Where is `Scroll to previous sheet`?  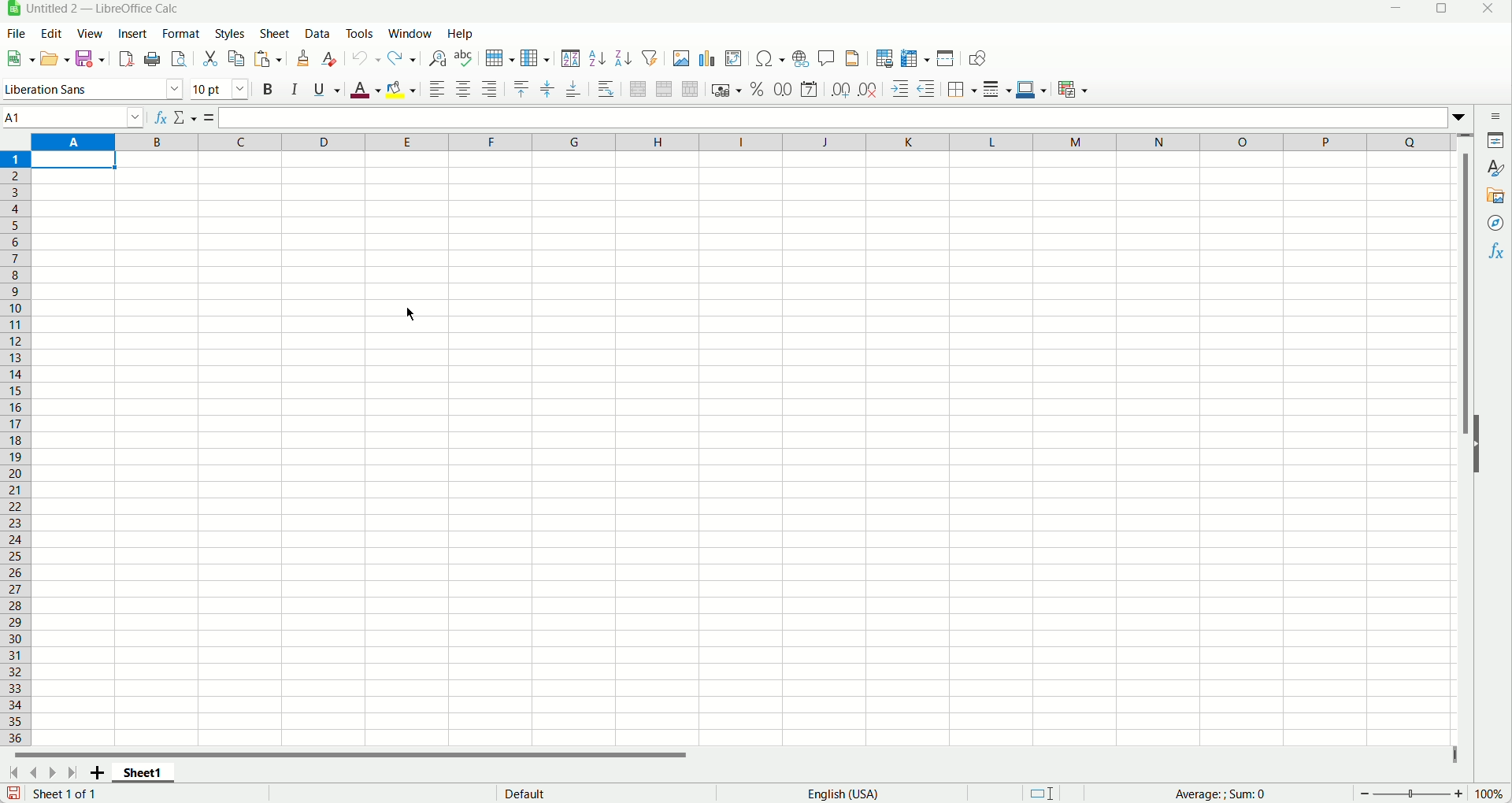 Scroll to previous sheet is located at coordinates (33, 774).